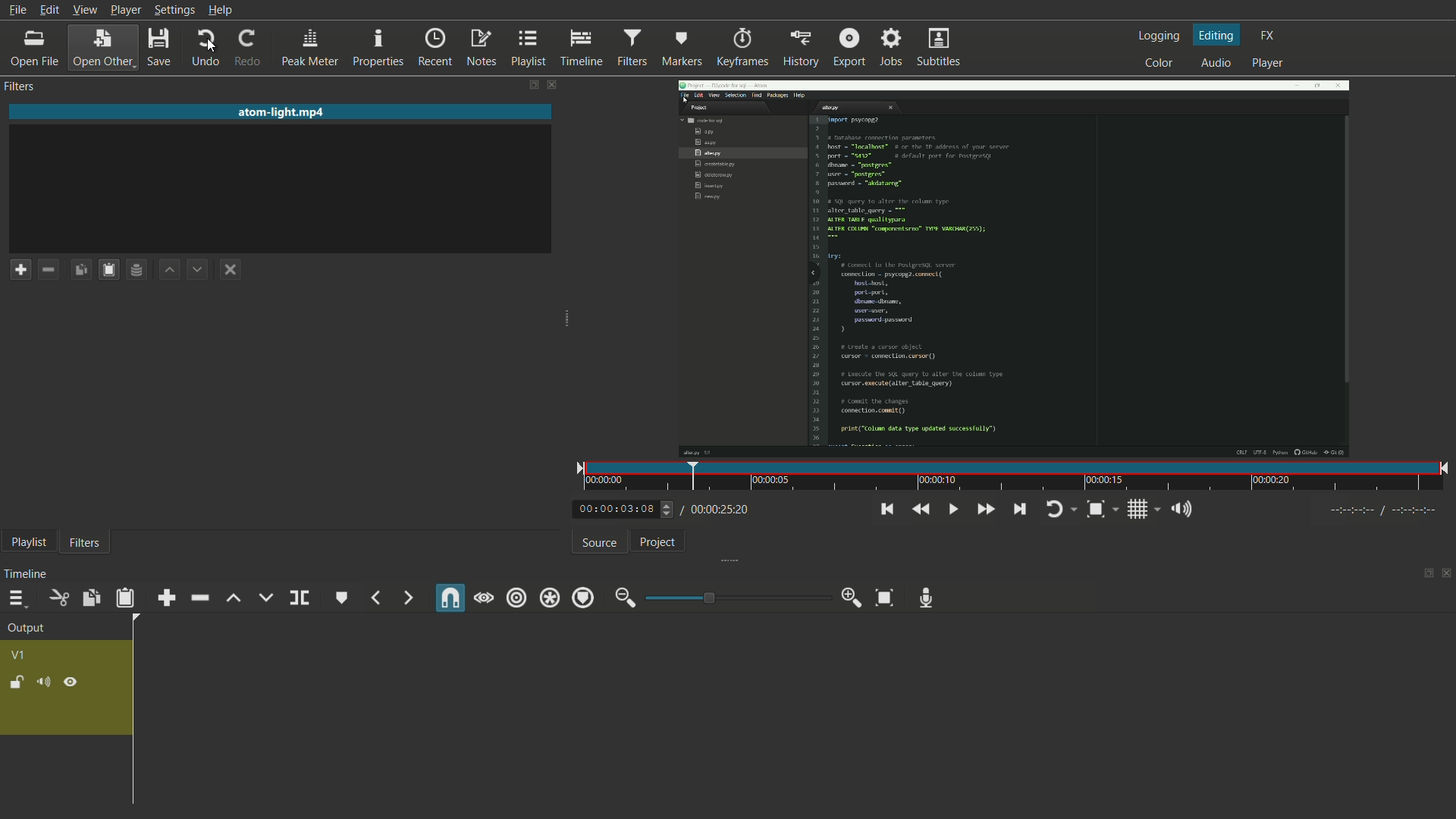  I want to click on paste, so click(124, 598).